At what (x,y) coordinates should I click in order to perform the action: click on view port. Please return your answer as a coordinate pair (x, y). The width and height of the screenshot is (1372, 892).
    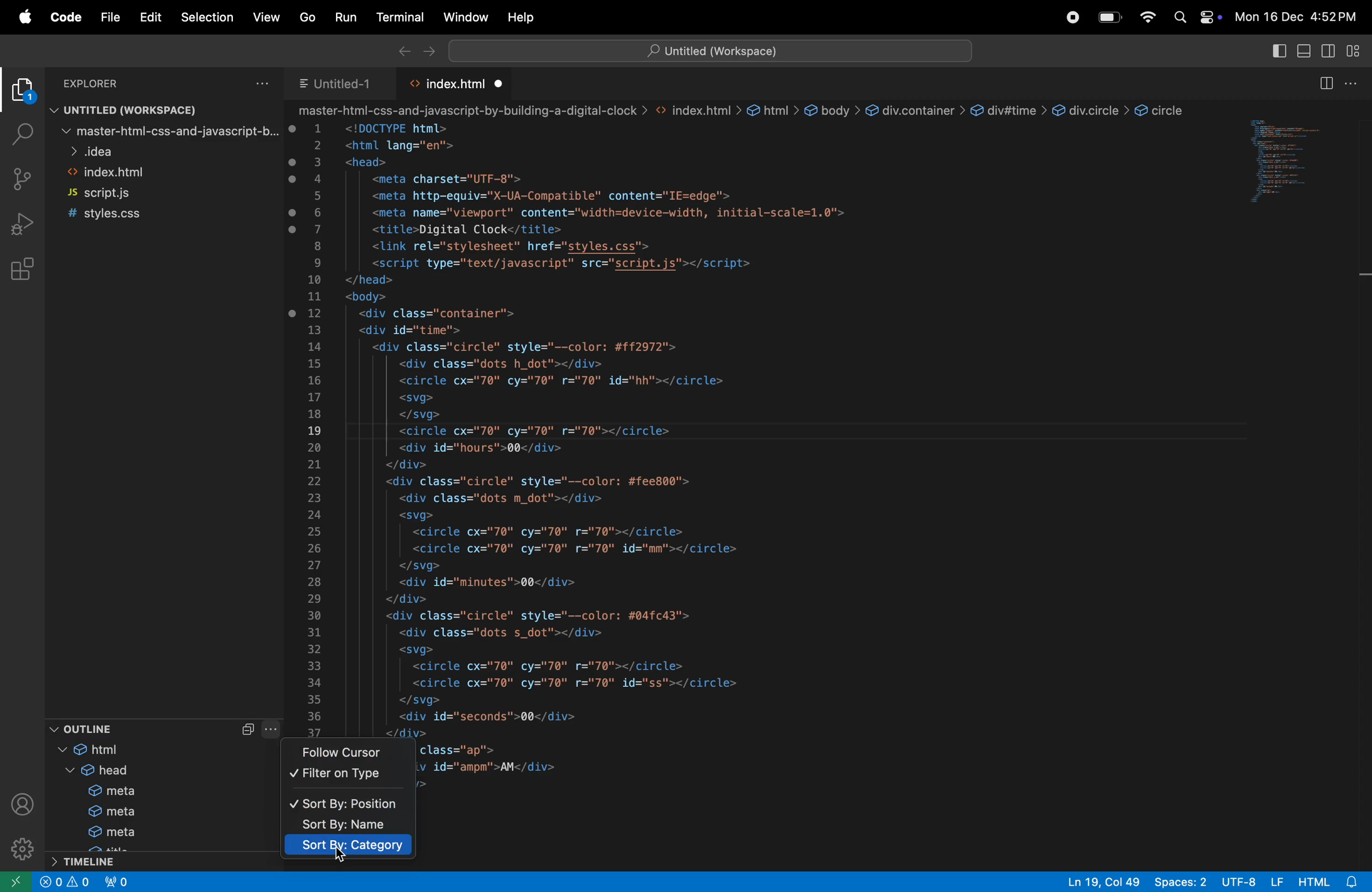
    Looking at the image, I should click on (120, 882).